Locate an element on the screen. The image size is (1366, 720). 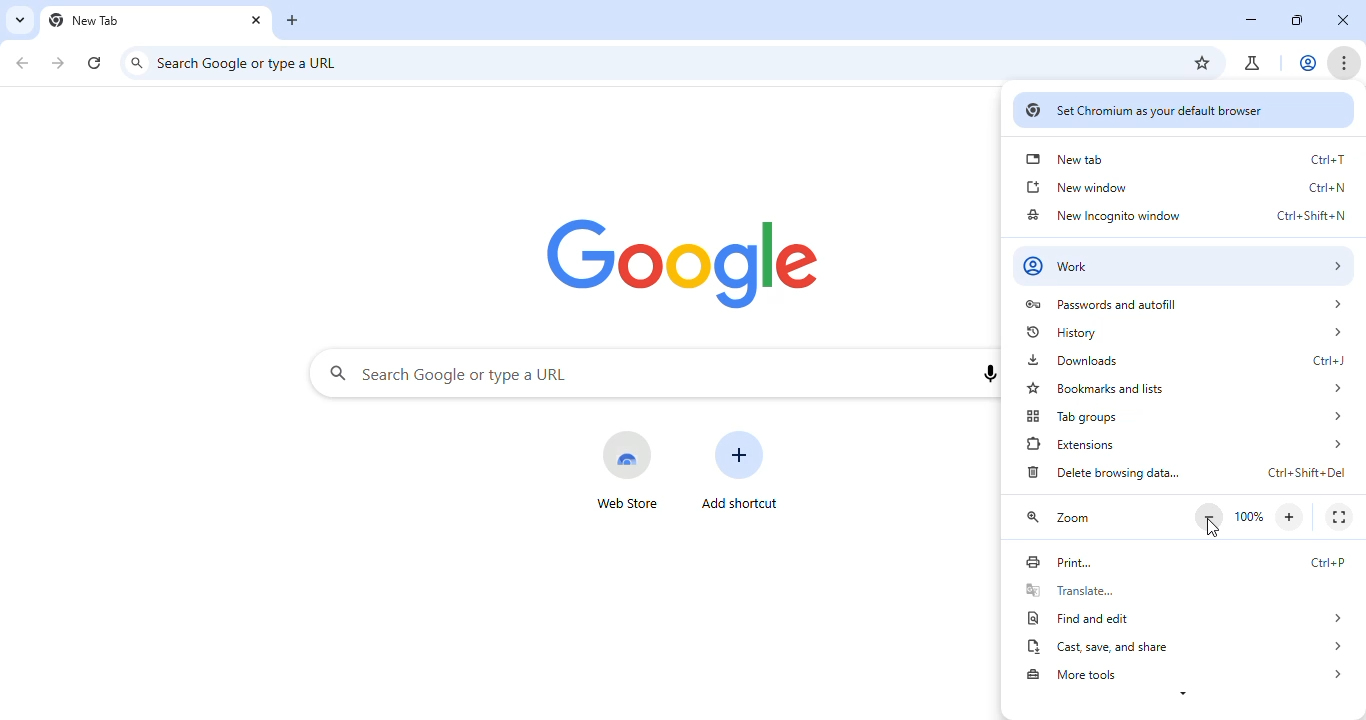
new window is located at coordinates (1184, 187).